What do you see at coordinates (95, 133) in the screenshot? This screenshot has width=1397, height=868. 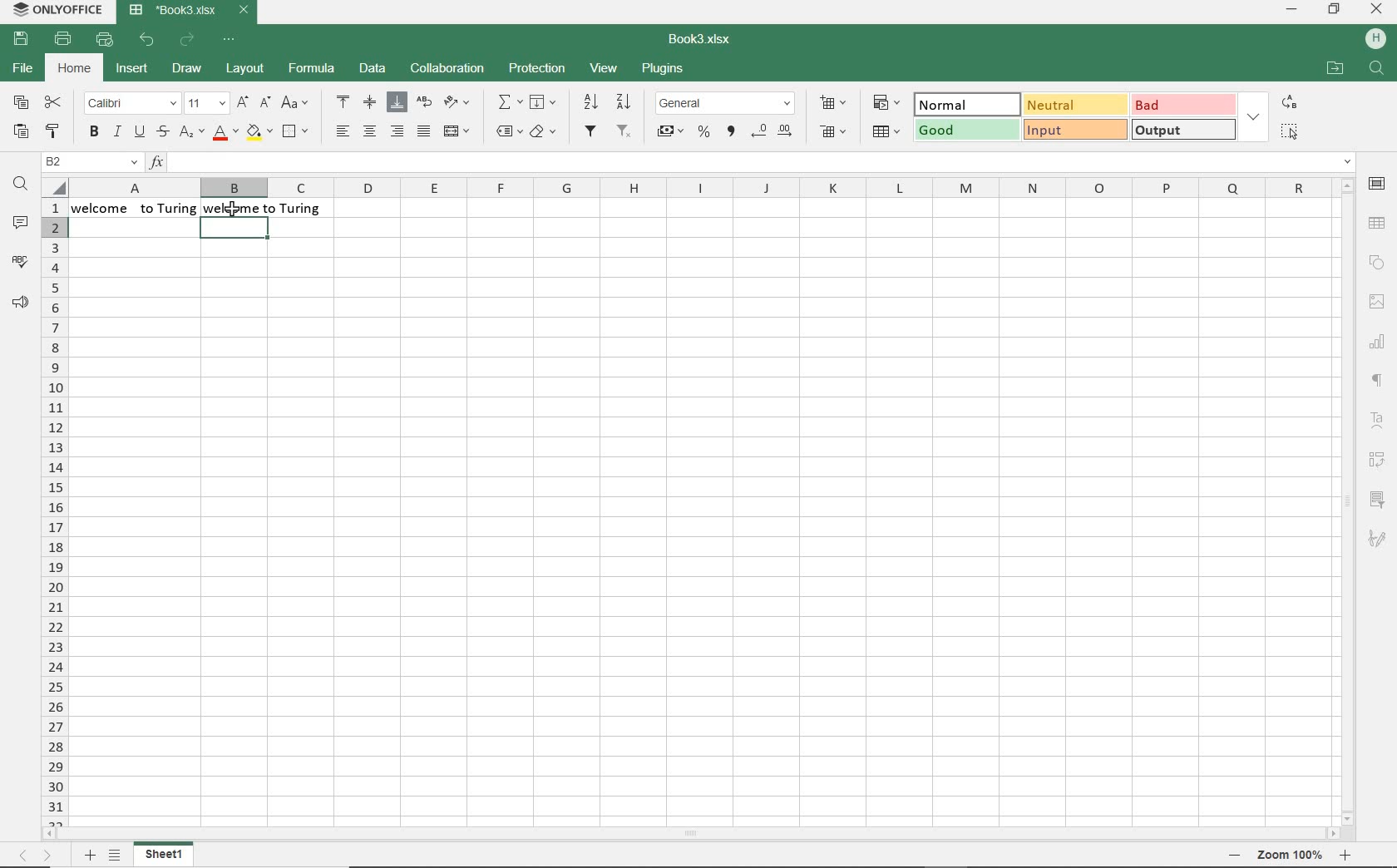 I see `bold` at bounding box center [95, 133].